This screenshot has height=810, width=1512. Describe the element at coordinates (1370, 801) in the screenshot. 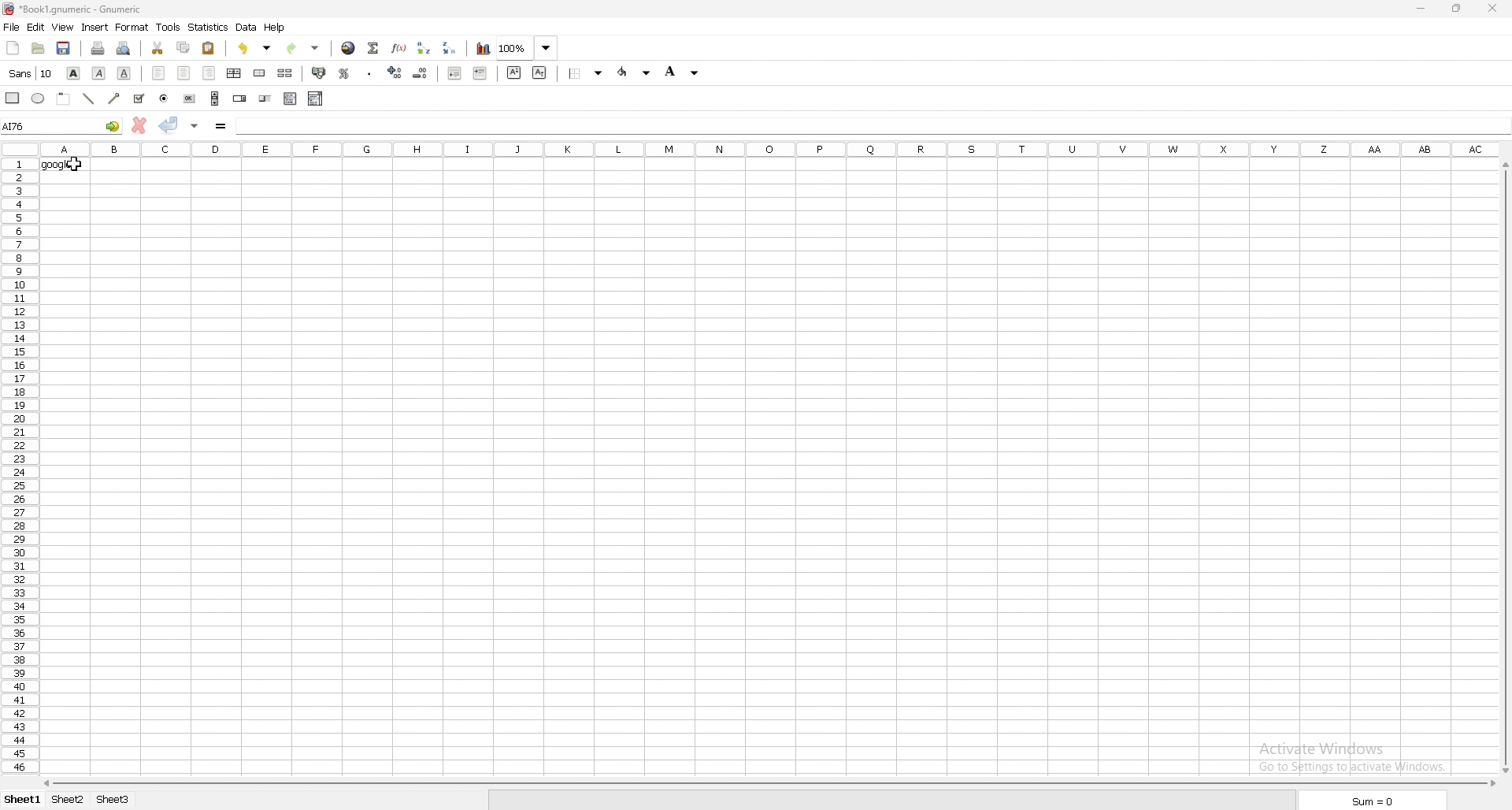

I see `sum` at that location.